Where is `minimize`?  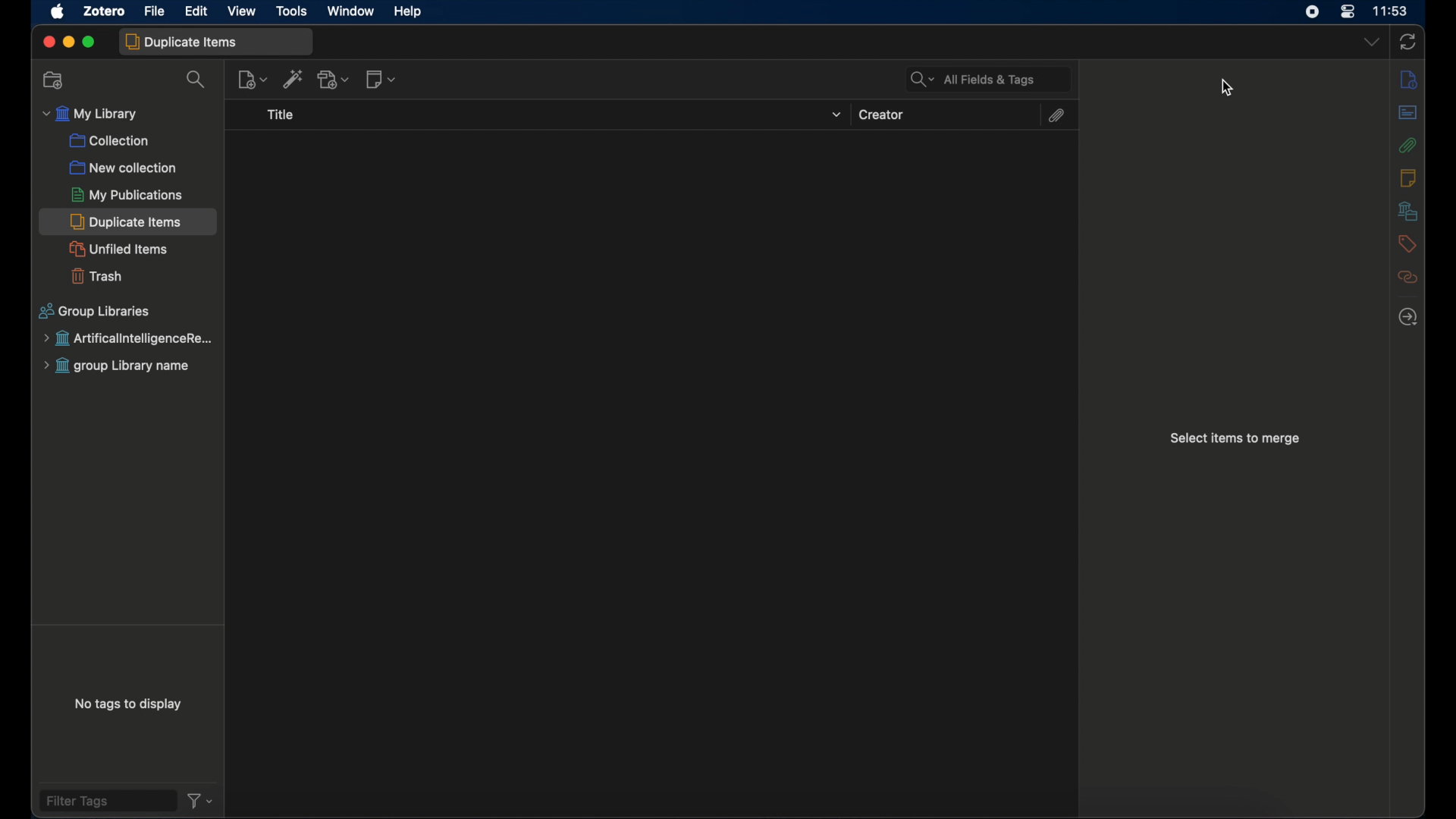
minimize is located at coordinates (67, 41).